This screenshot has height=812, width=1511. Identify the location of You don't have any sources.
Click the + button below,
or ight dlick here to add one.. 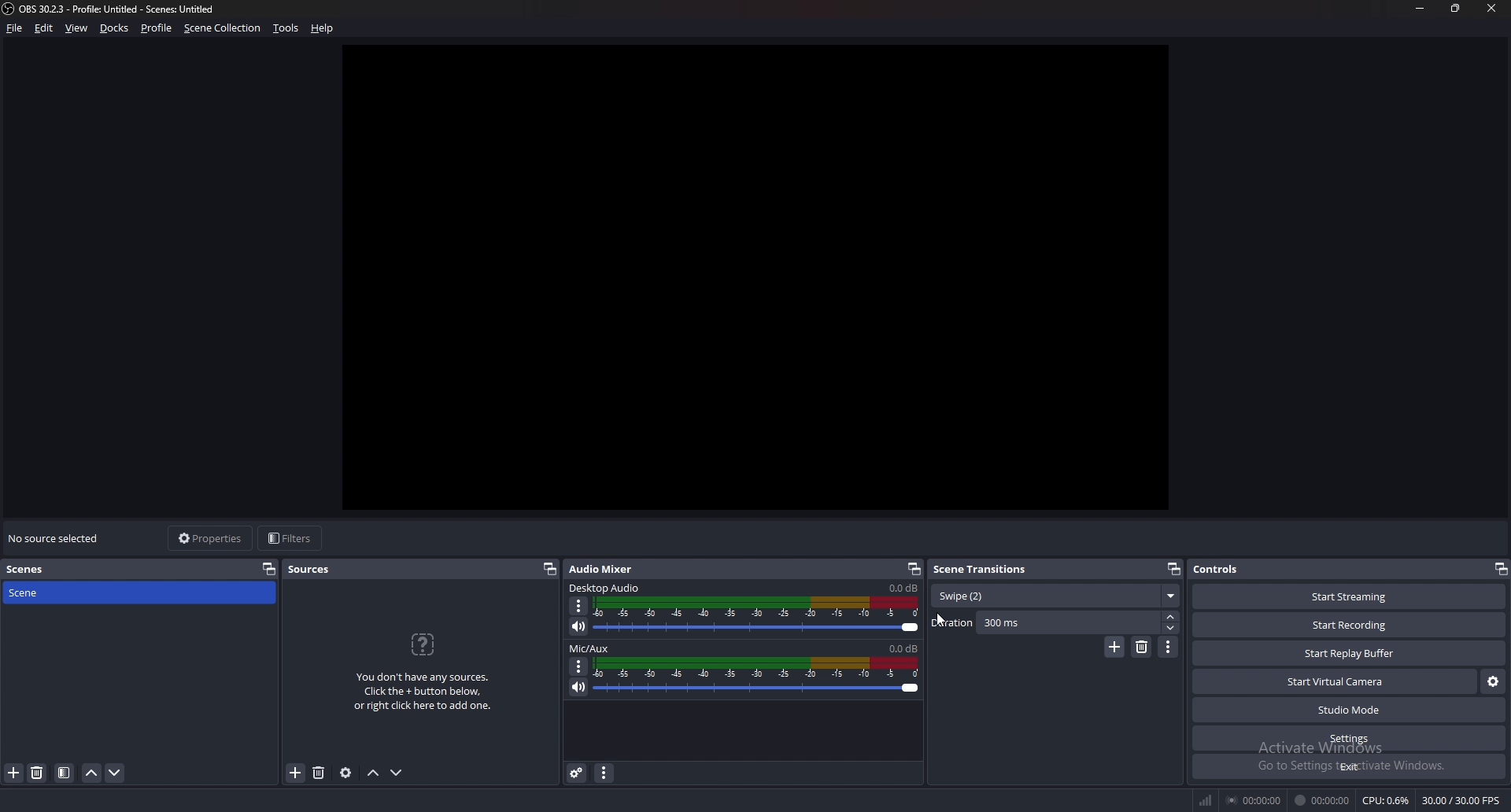
(423, 672).